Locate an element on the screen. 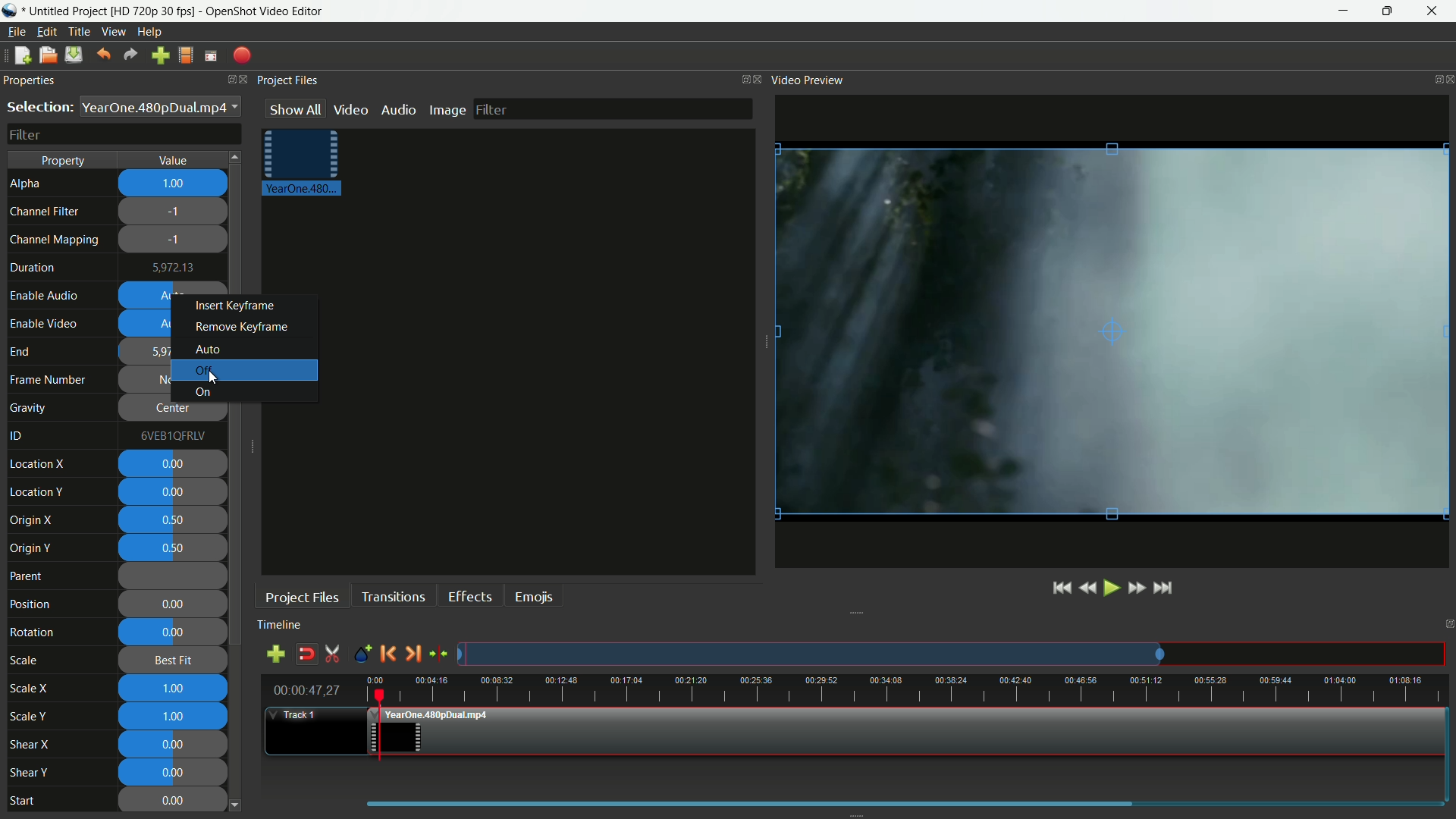 The width and height of the screenshot is (1456, 819). location x is located at coordinates (39, 465).